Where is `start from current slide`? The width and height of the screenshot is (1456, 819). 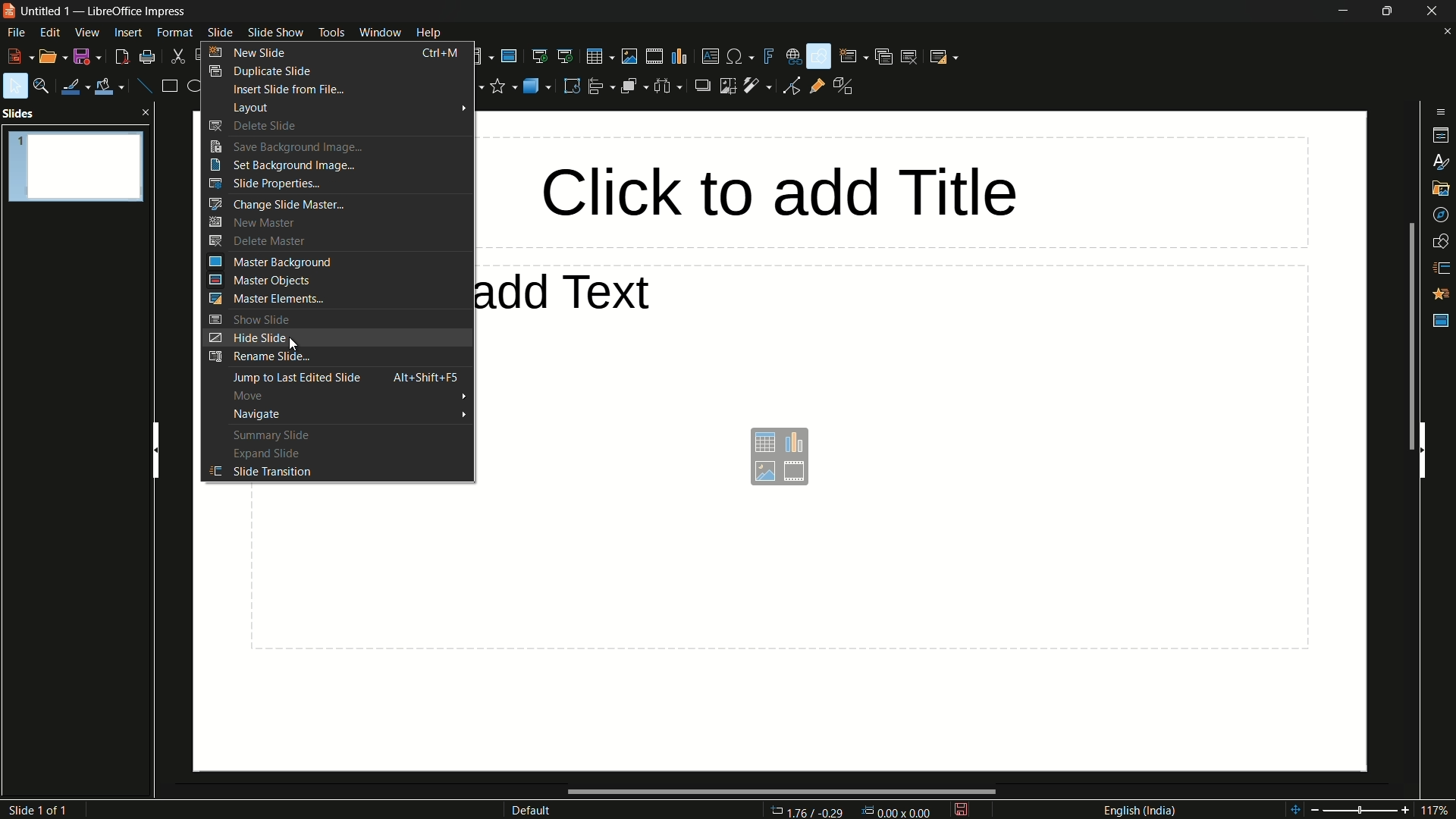
start from current slide is located at coordinates (567, 56).